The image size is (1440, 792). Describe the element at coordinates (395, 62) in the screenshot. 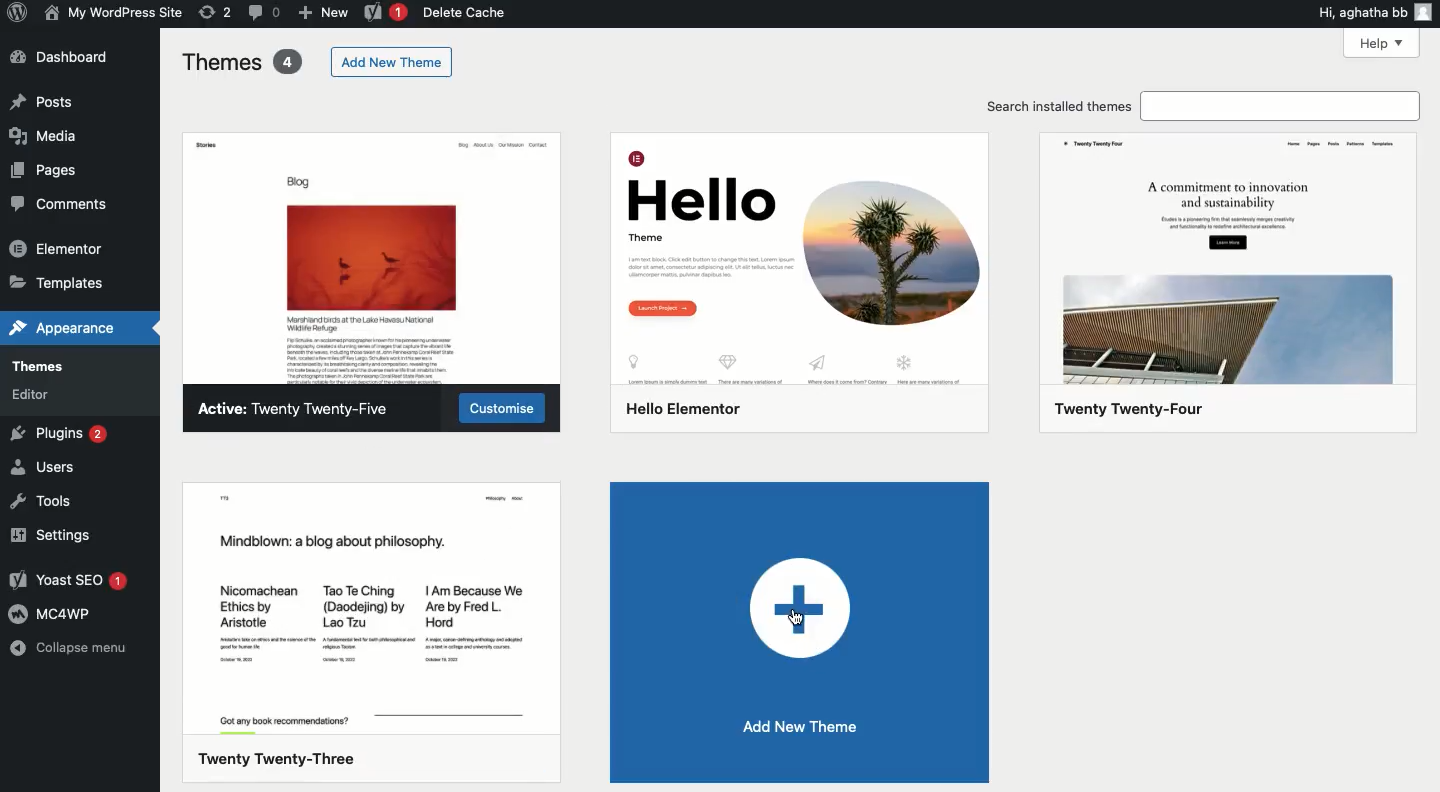

I see `Add new theme` at that location.